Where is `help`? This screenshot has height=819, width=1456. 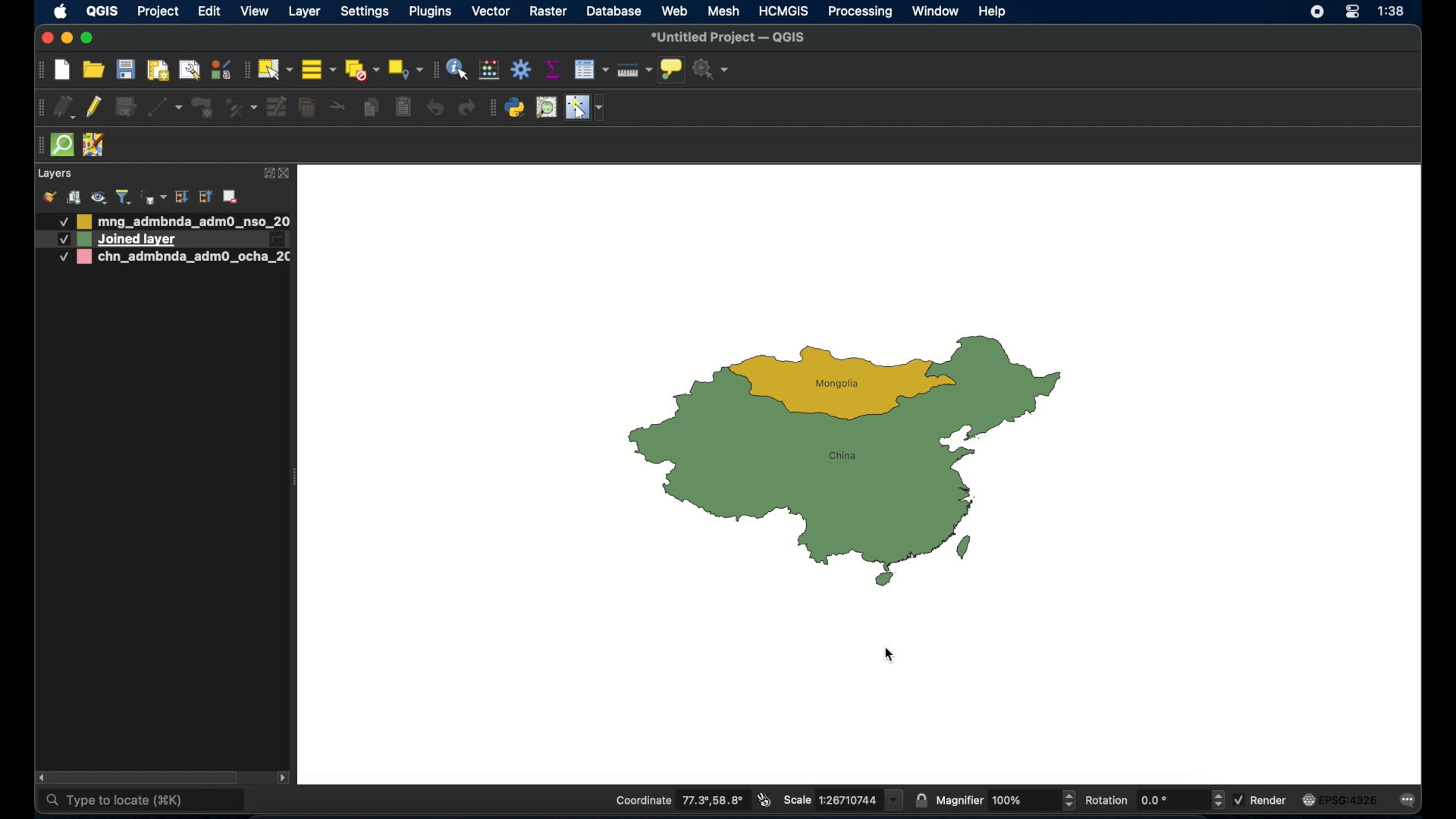
help is located at coordinates (993, 11).